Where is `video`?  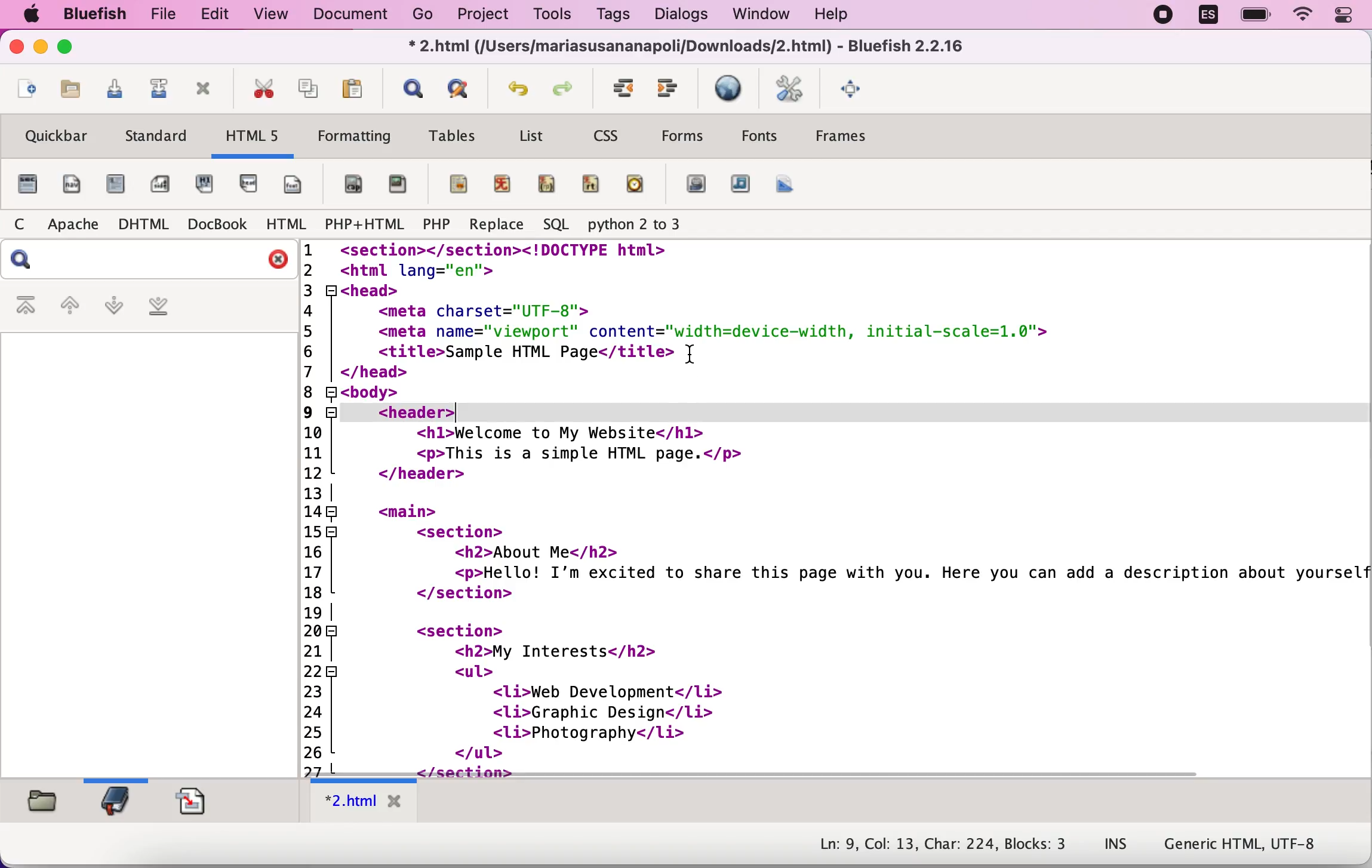 video is located at coordinates (690, 183).